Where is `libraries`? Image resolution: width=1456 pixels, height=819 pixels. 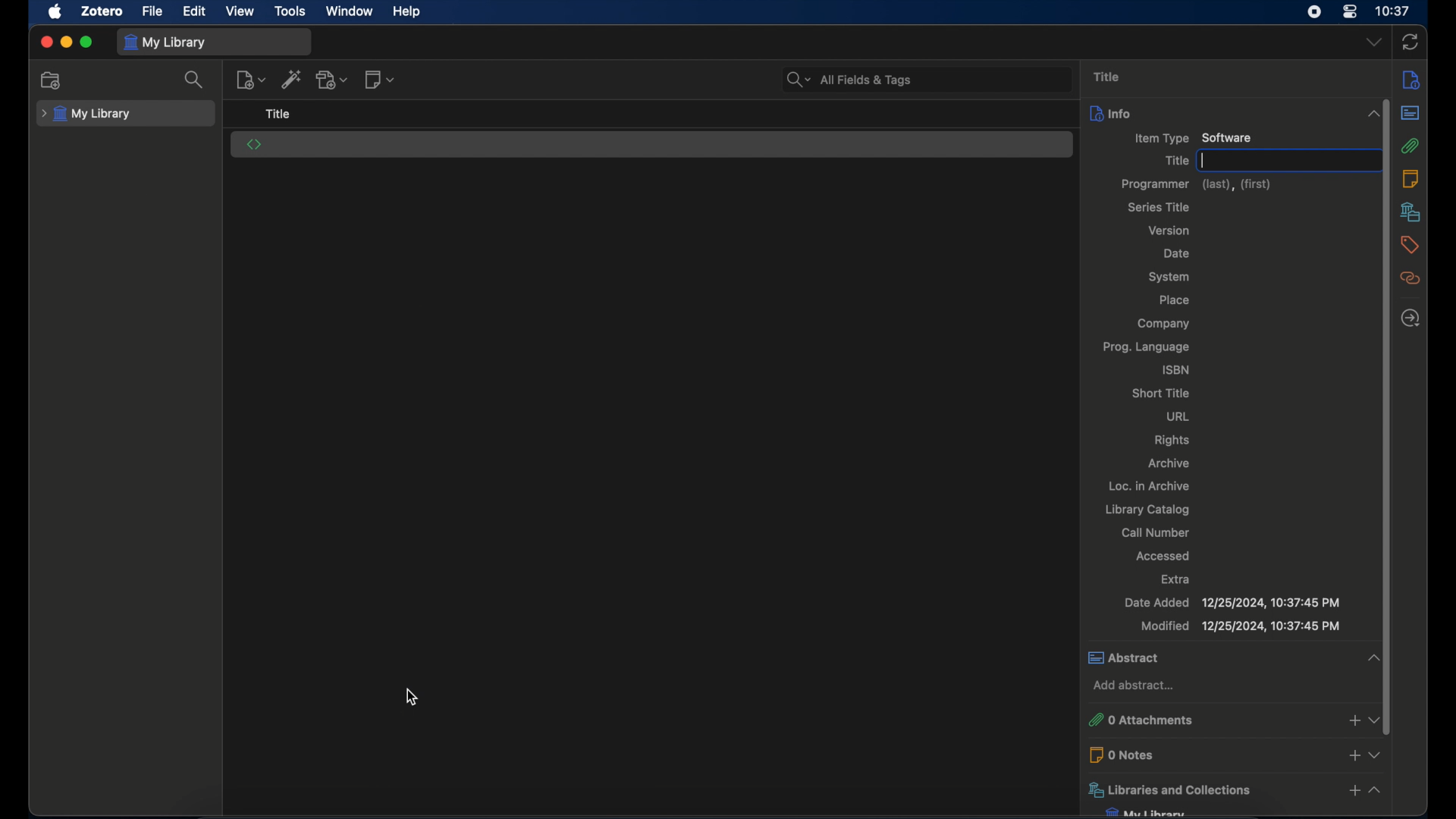 libraries is located at coordinates (1410, 212).